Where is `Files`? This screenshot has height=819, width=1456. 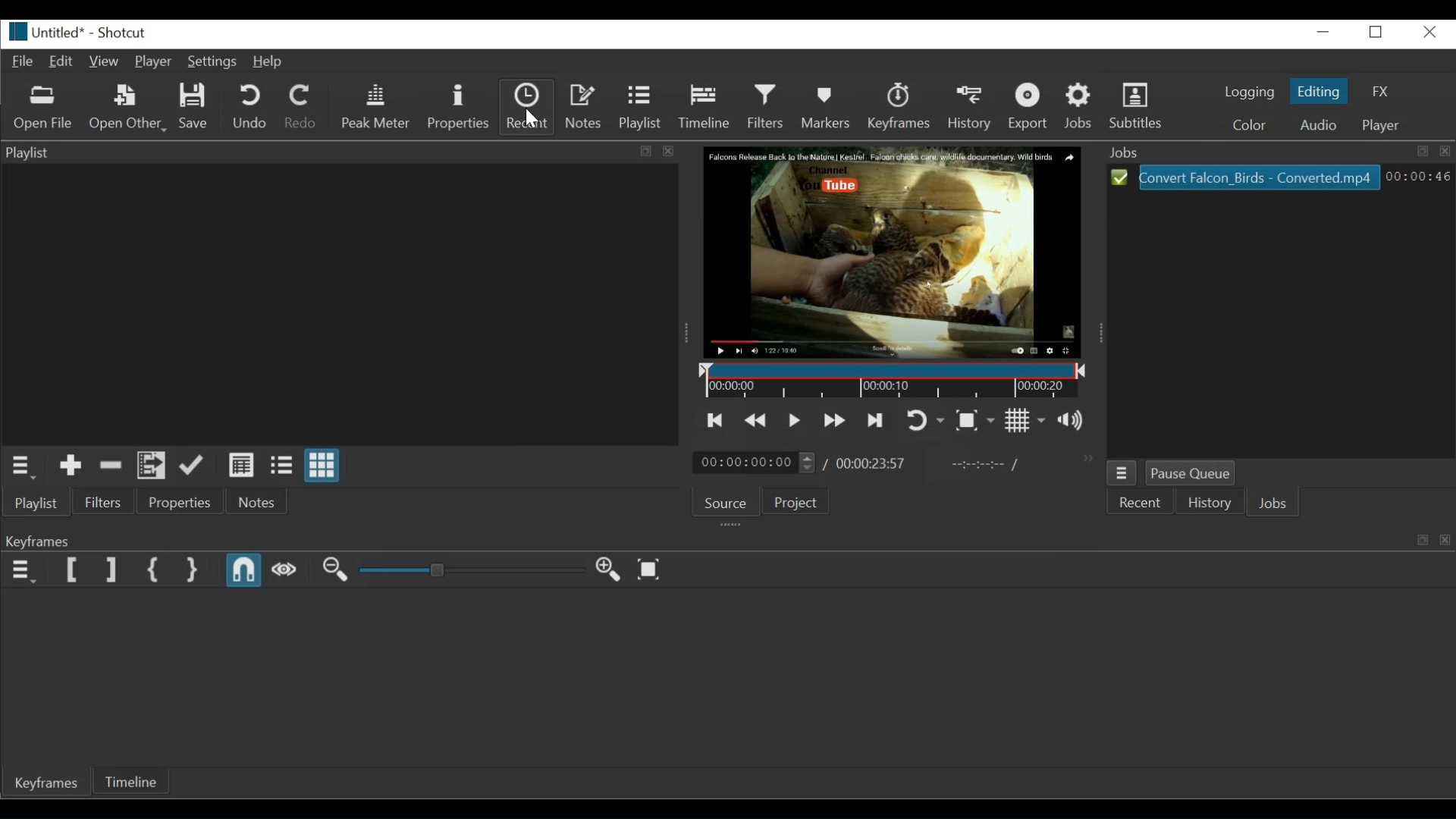
Files is located at coordinates (102, 502).